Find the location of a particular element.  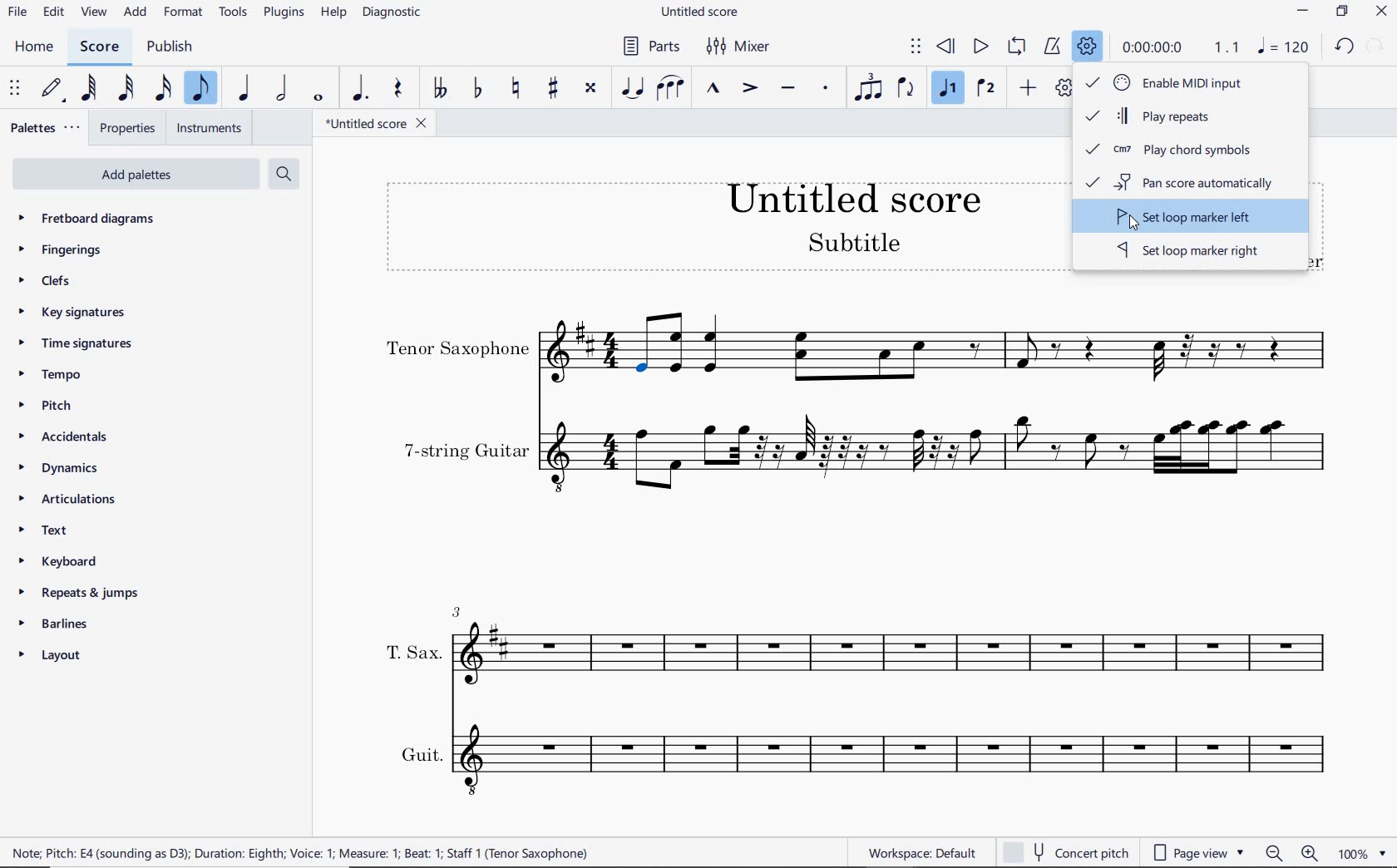

PLAY SPEED is located at coordinates (1183, 47).